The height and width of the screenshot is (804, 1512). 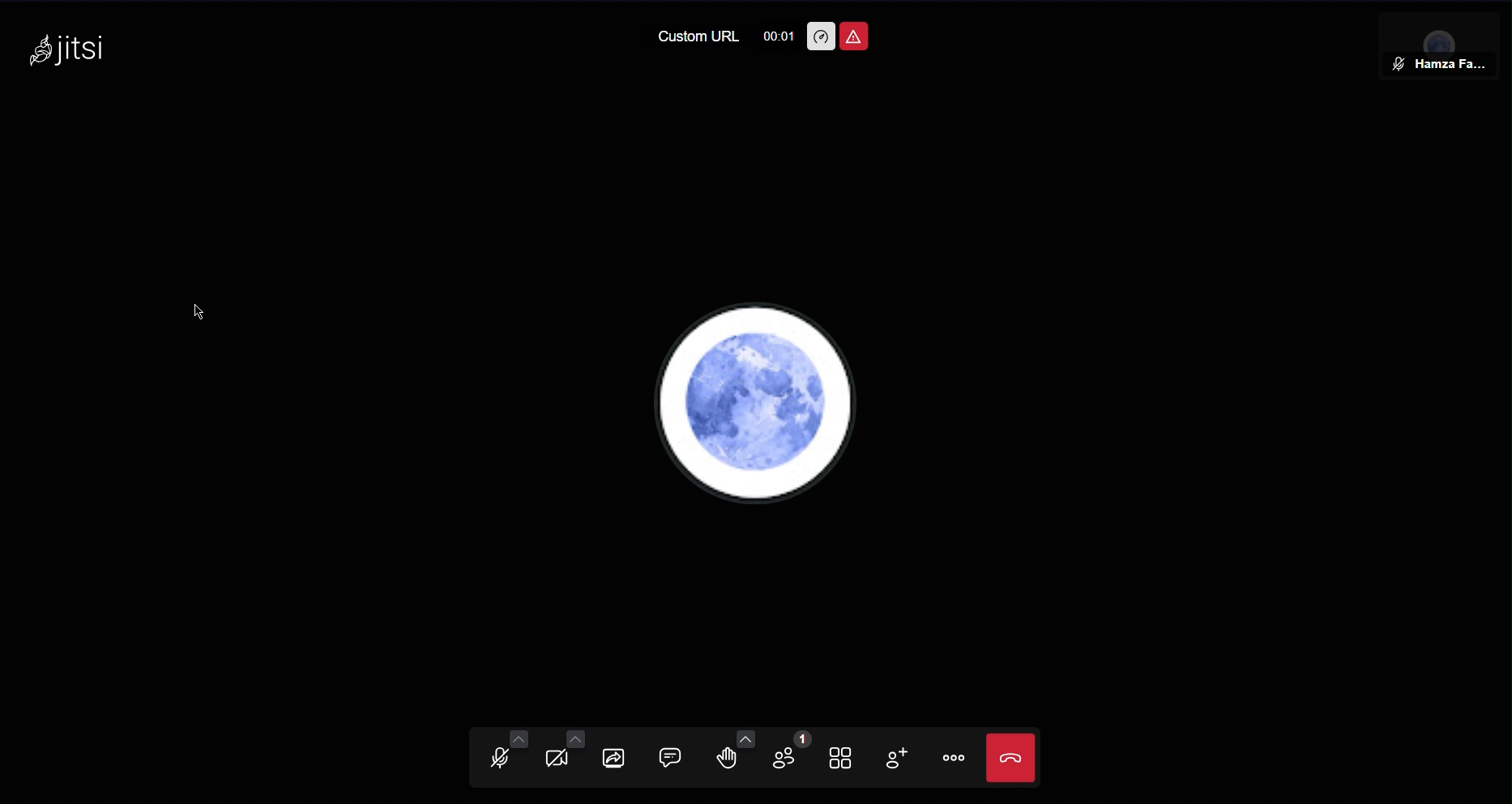 I want to click on TImer, so click(x=777, y=35).